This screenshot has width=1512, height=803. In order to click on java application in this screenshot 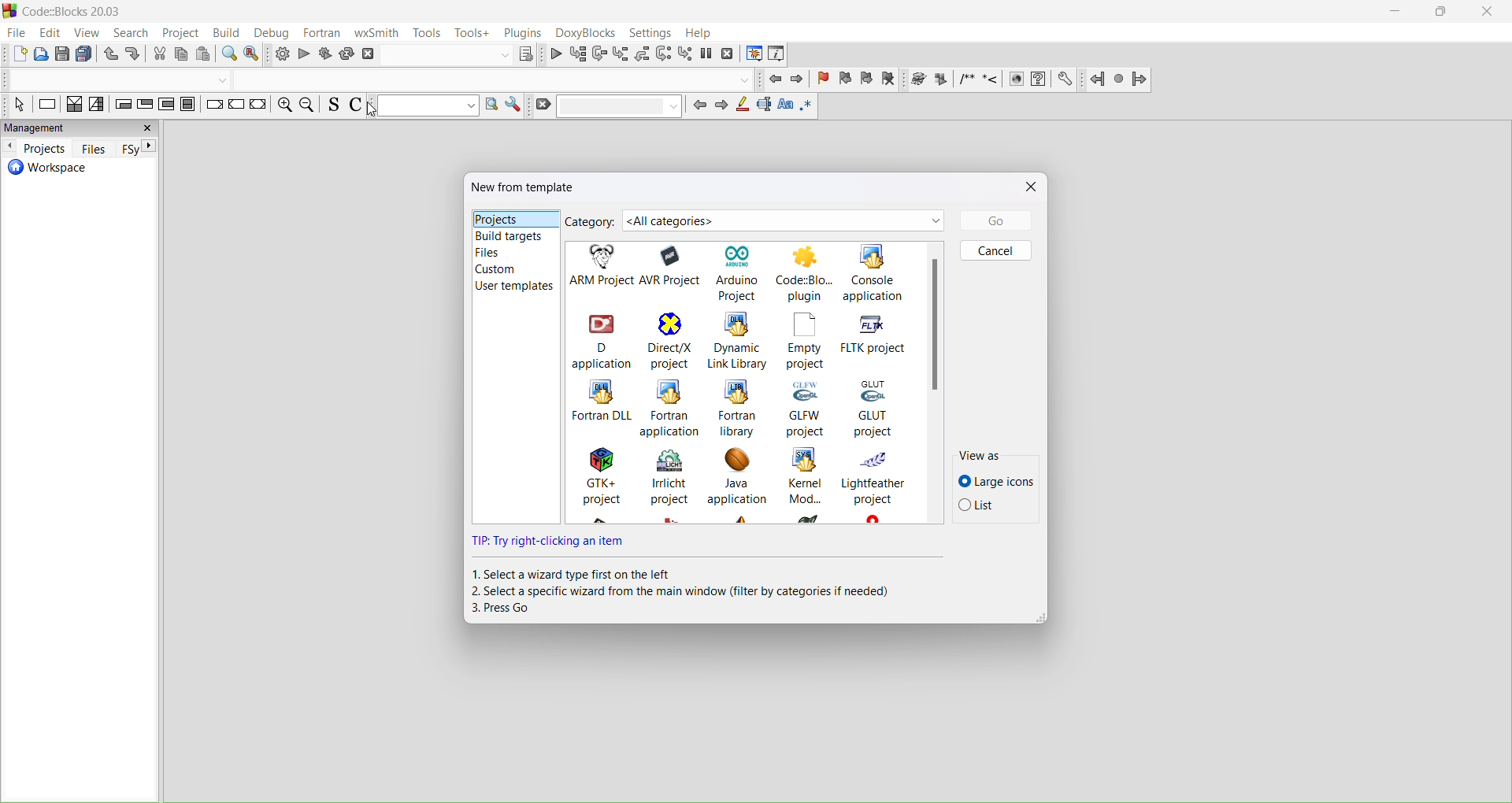, I will do `click(736, 484)`.